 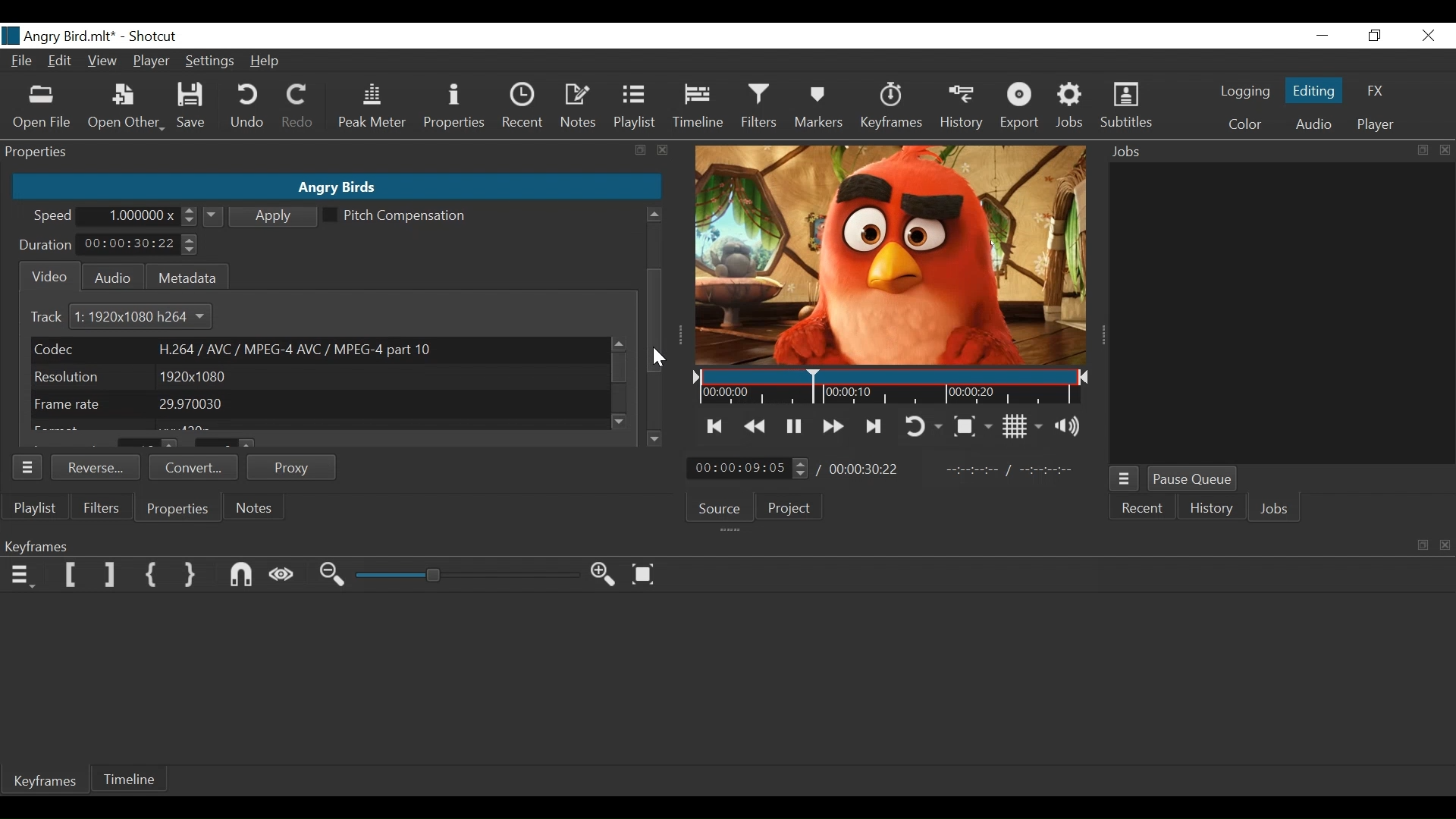 What do you see at coordinates (1245, 124) in the screenshot?
I see `Color` at bounding box center [1245, 124].